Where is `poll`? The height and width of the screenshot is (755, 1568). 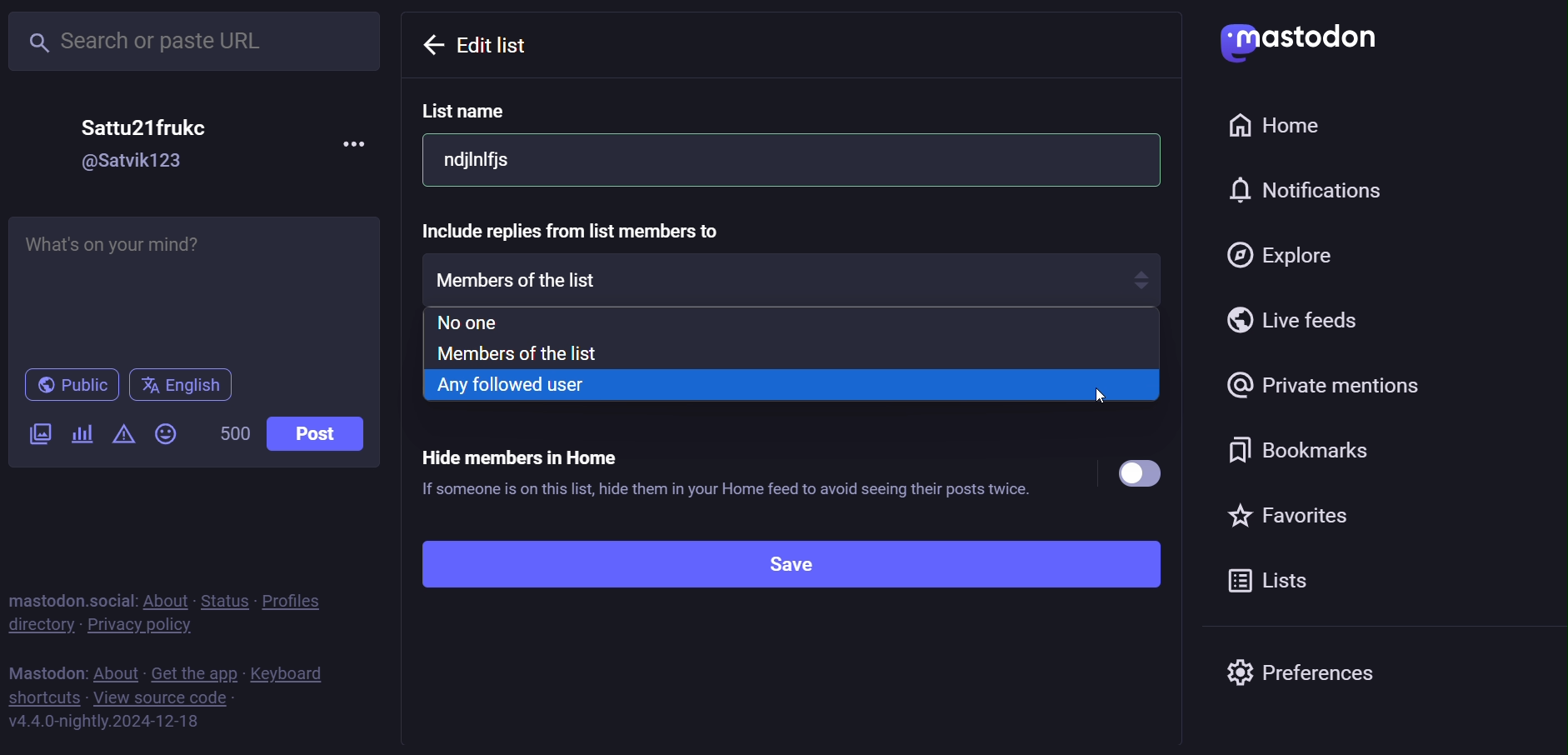 poll is located at coordinates (88, 434).